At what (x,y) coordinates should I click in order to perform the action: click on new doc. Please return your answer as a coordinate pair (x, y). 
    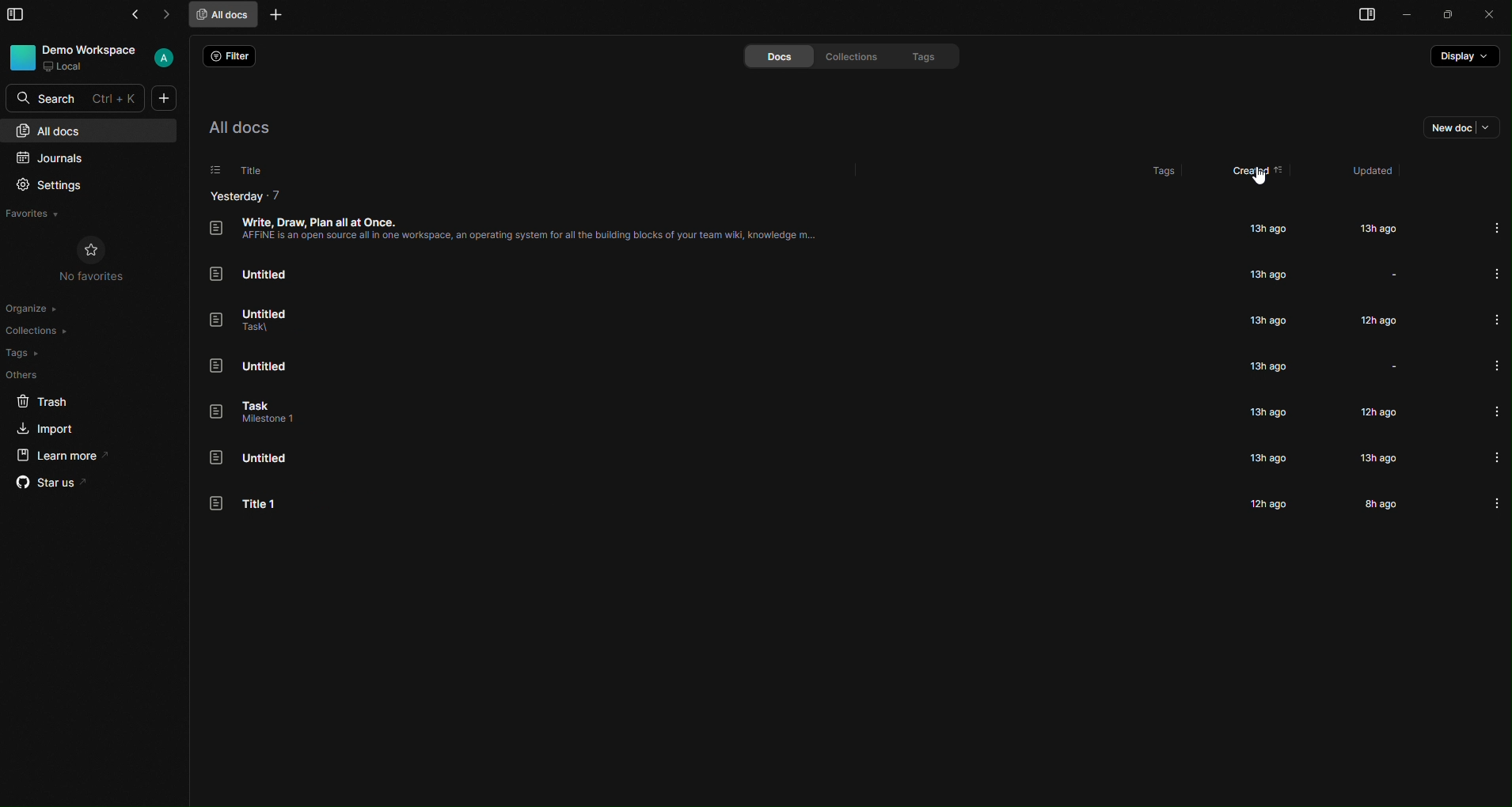
    Looking at the image, I should click on (165, 99).